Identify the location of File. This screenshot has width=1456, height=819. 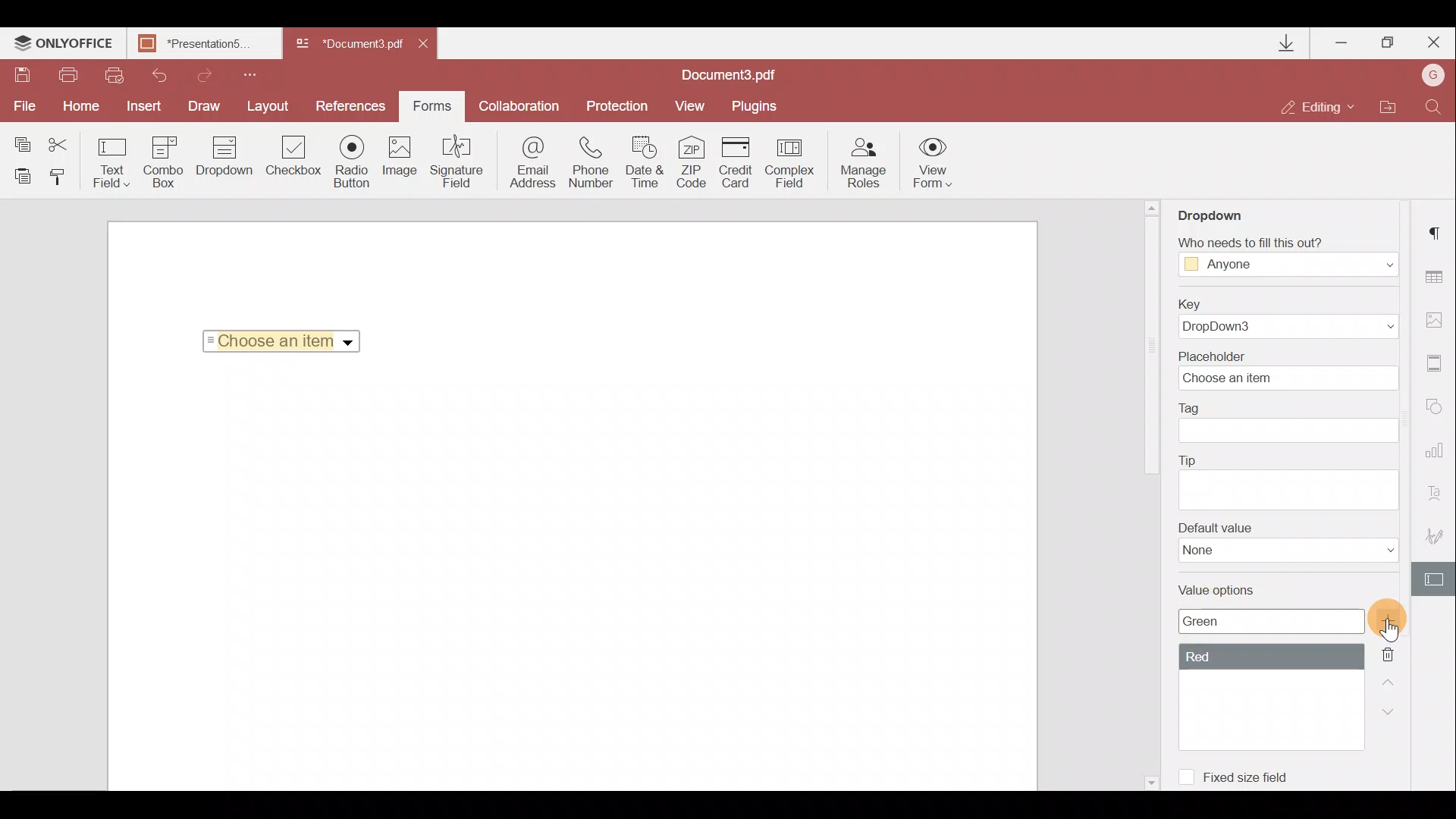
(26, 108).